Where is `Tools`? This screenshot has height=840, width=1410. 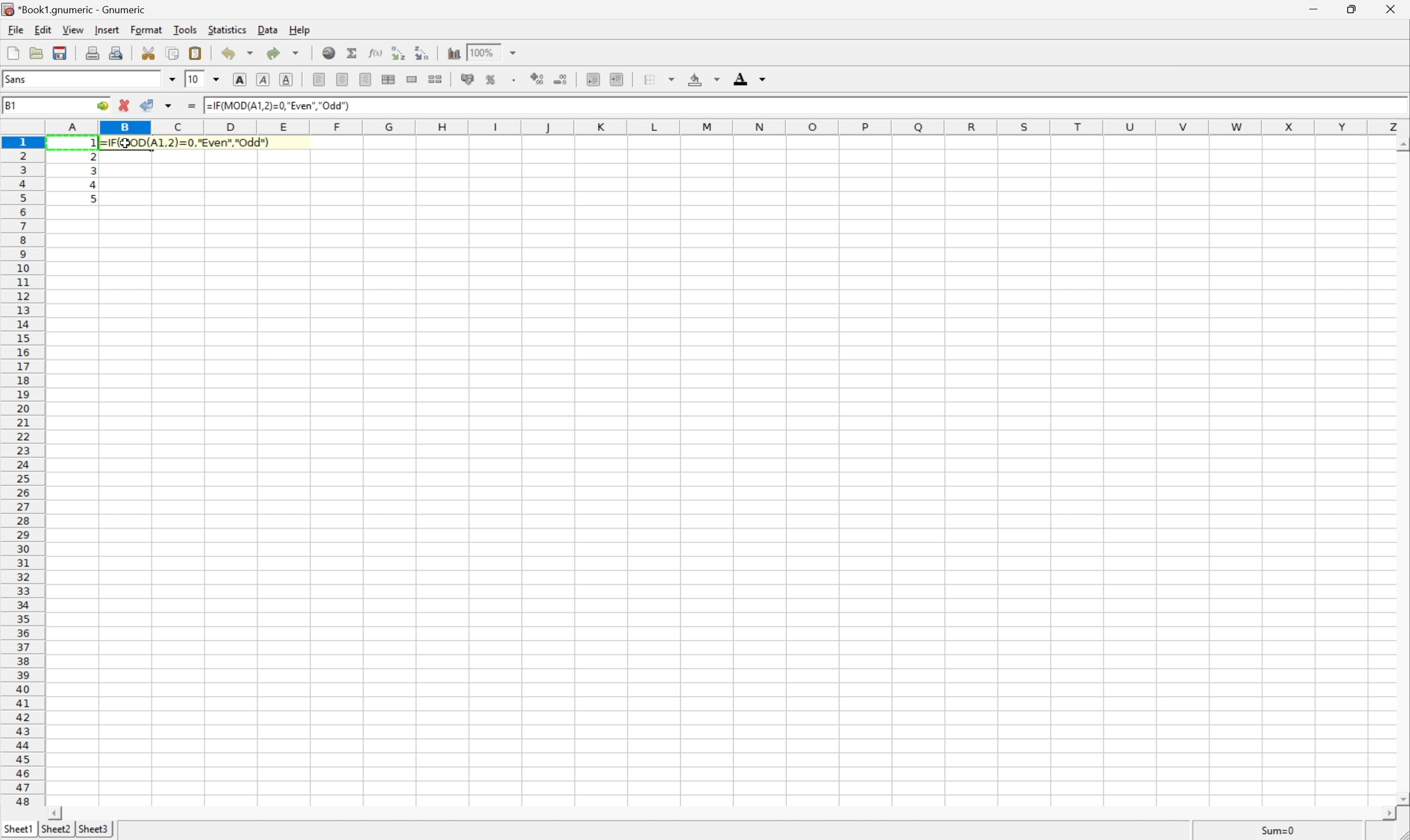
Tools is located at coordinates (185, 30).